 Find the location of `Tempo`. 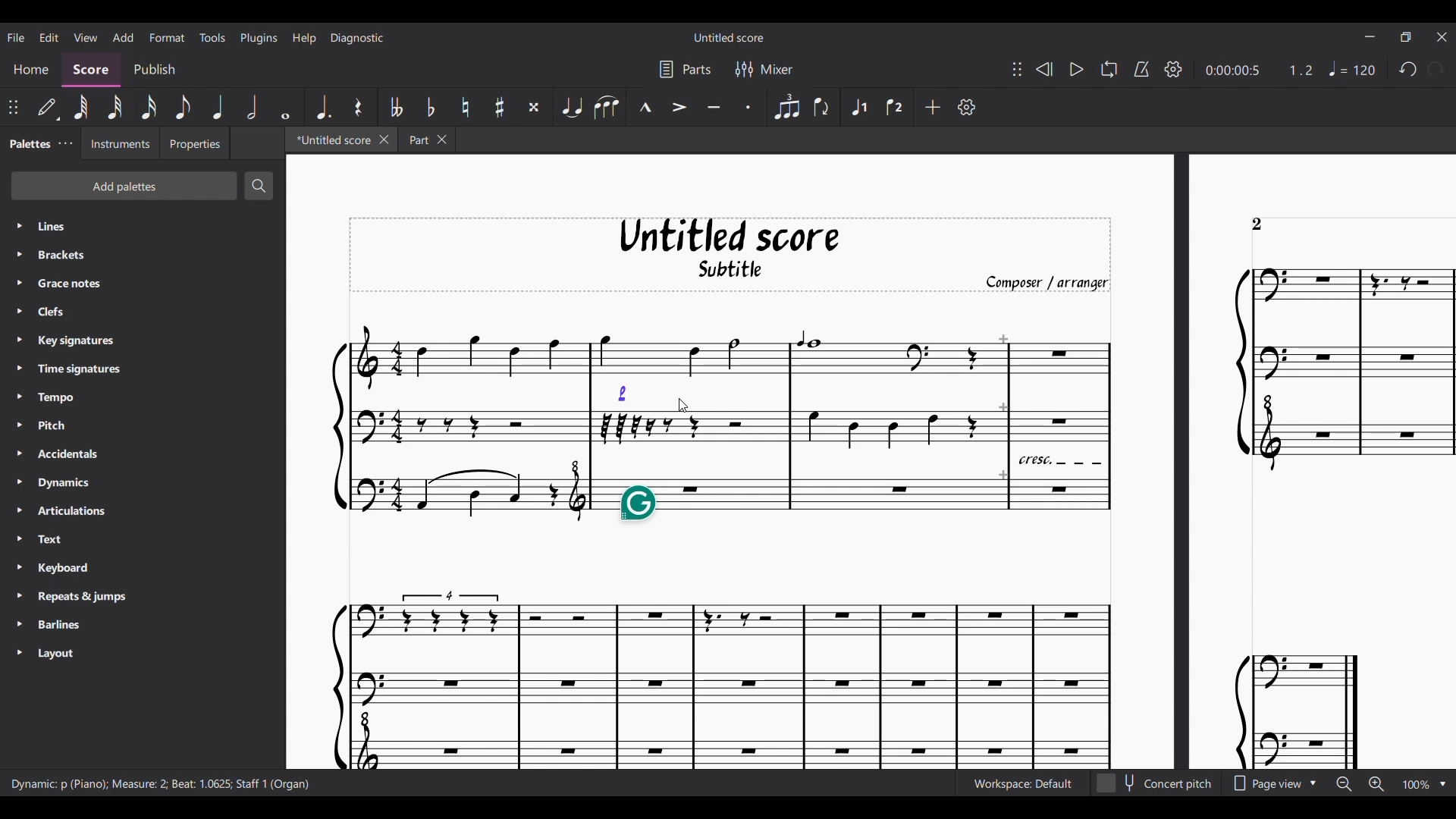

Tempo is located at coordinates (1352, 68).